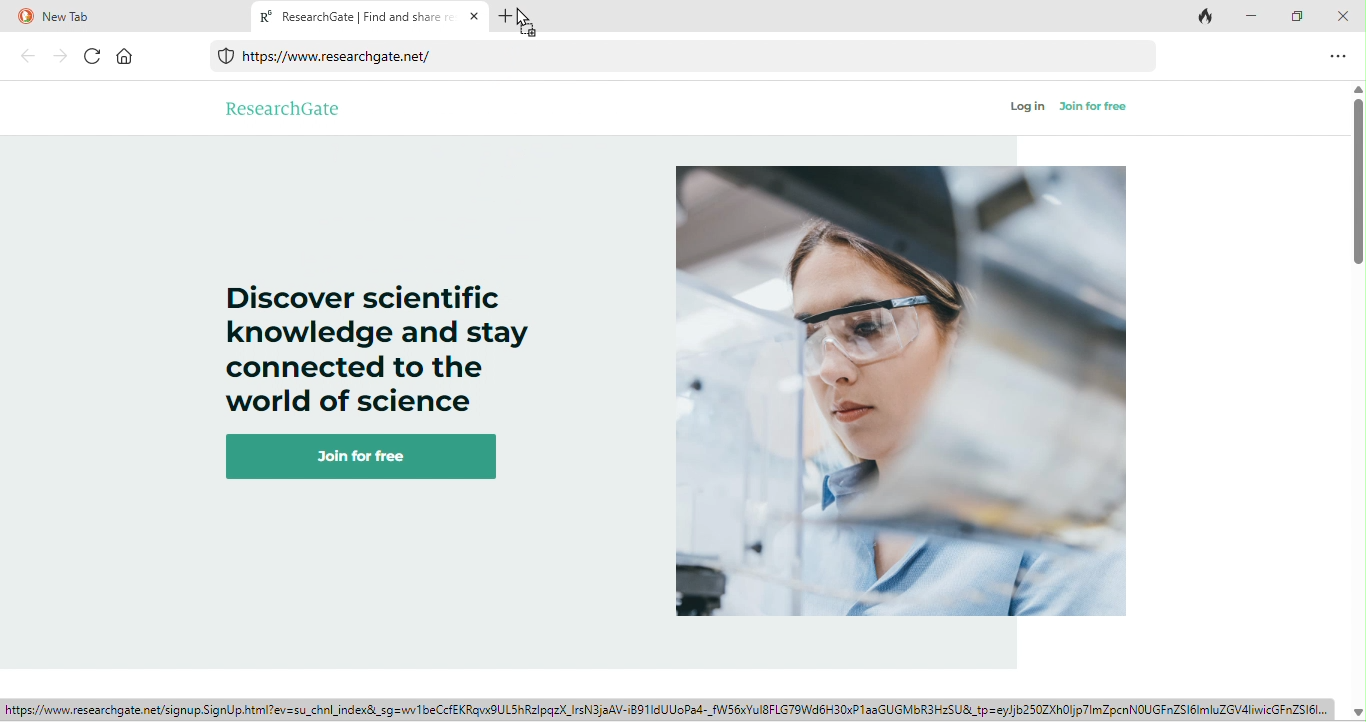  What do you see at coordinates (526, 23) in the screenshot?
I see `cursor movement` at bounding box center [526, 23].